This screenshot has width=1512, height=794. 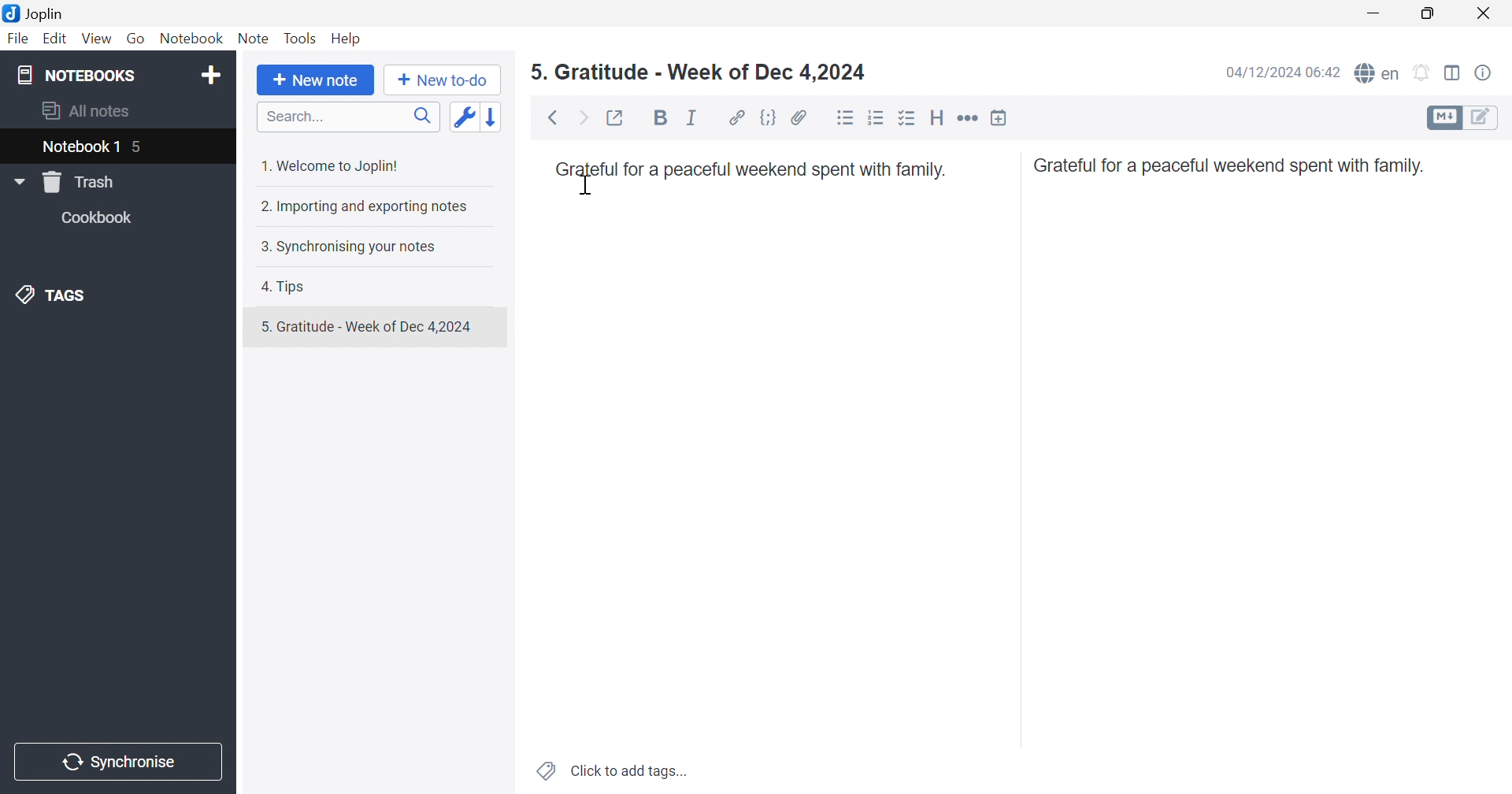 What do you see at coordinates (698, 72) in the screenshot?
I see `5. Gratitude  Week of Dec 4,2024` at bounding box center [698, 72].